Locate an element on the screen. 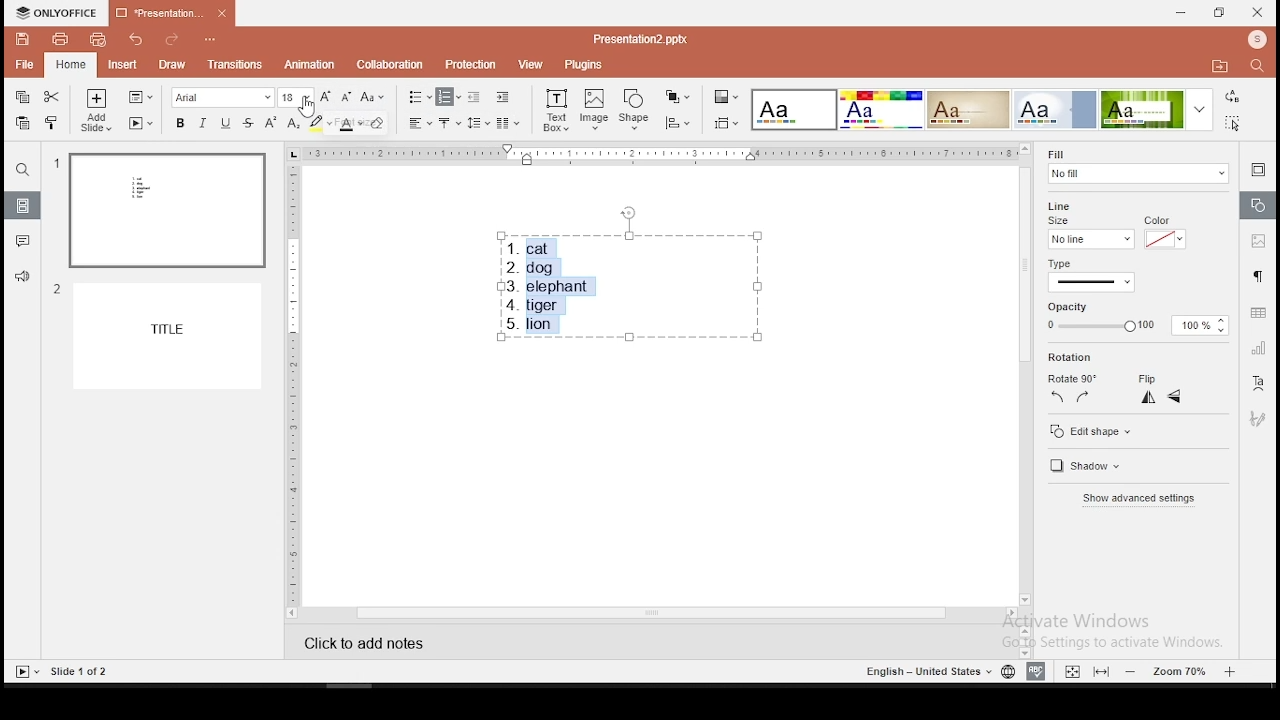 The height and width of the screenshot is (720, 1280). protection is located at coordinates (470, 63).